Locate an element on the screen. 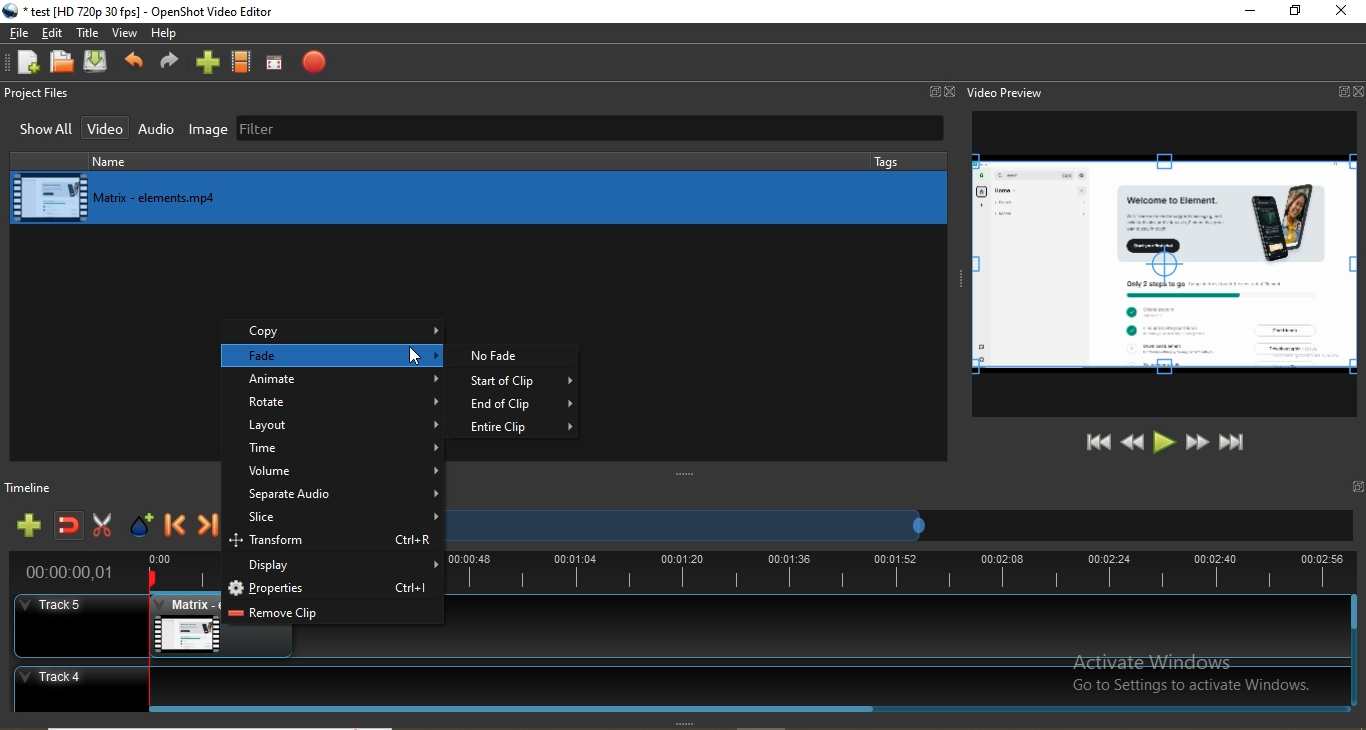  Jump to end is located at coordinates (1233, 444).